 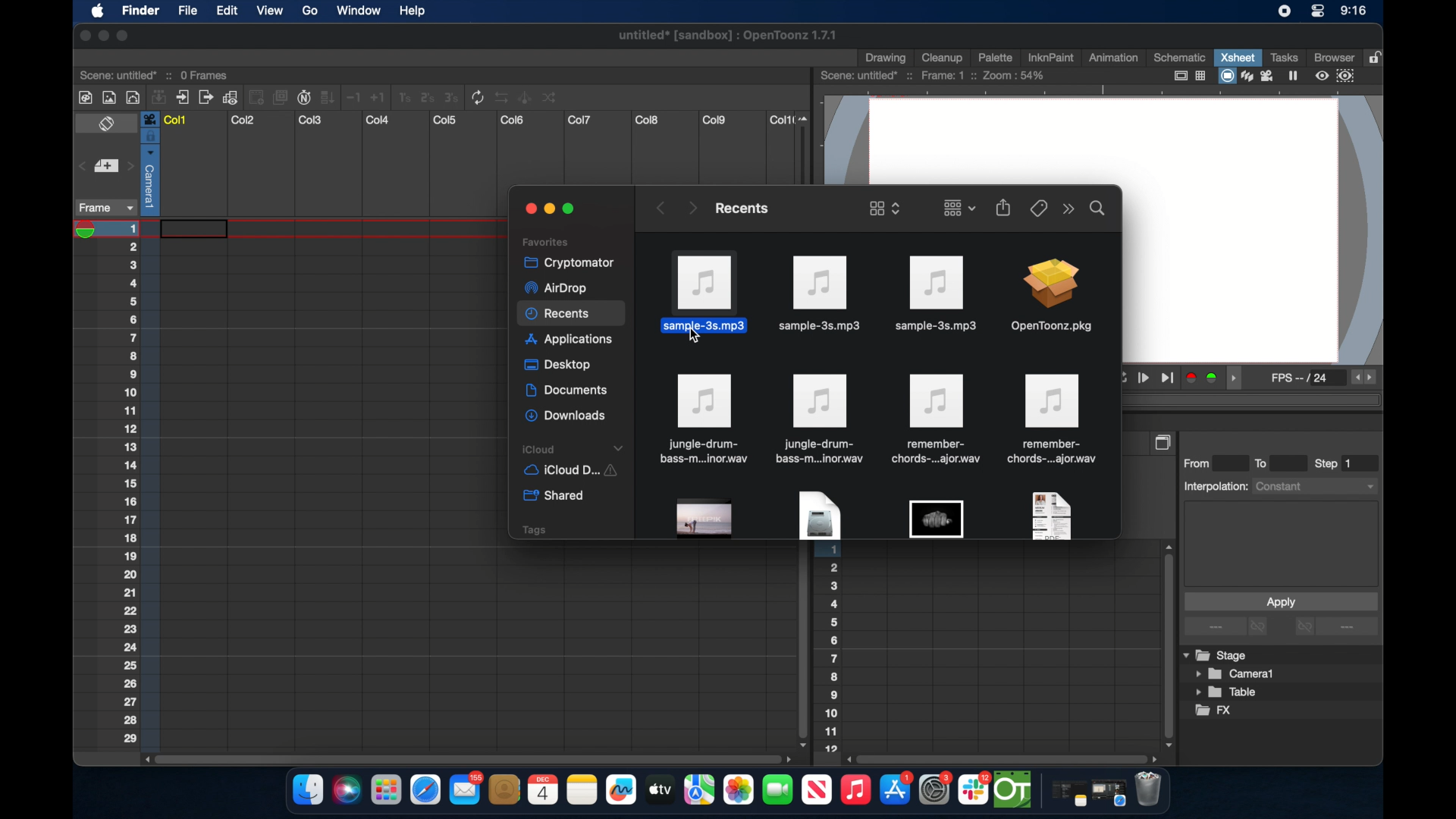 I want to click on mail, so click(x=466, y=788).